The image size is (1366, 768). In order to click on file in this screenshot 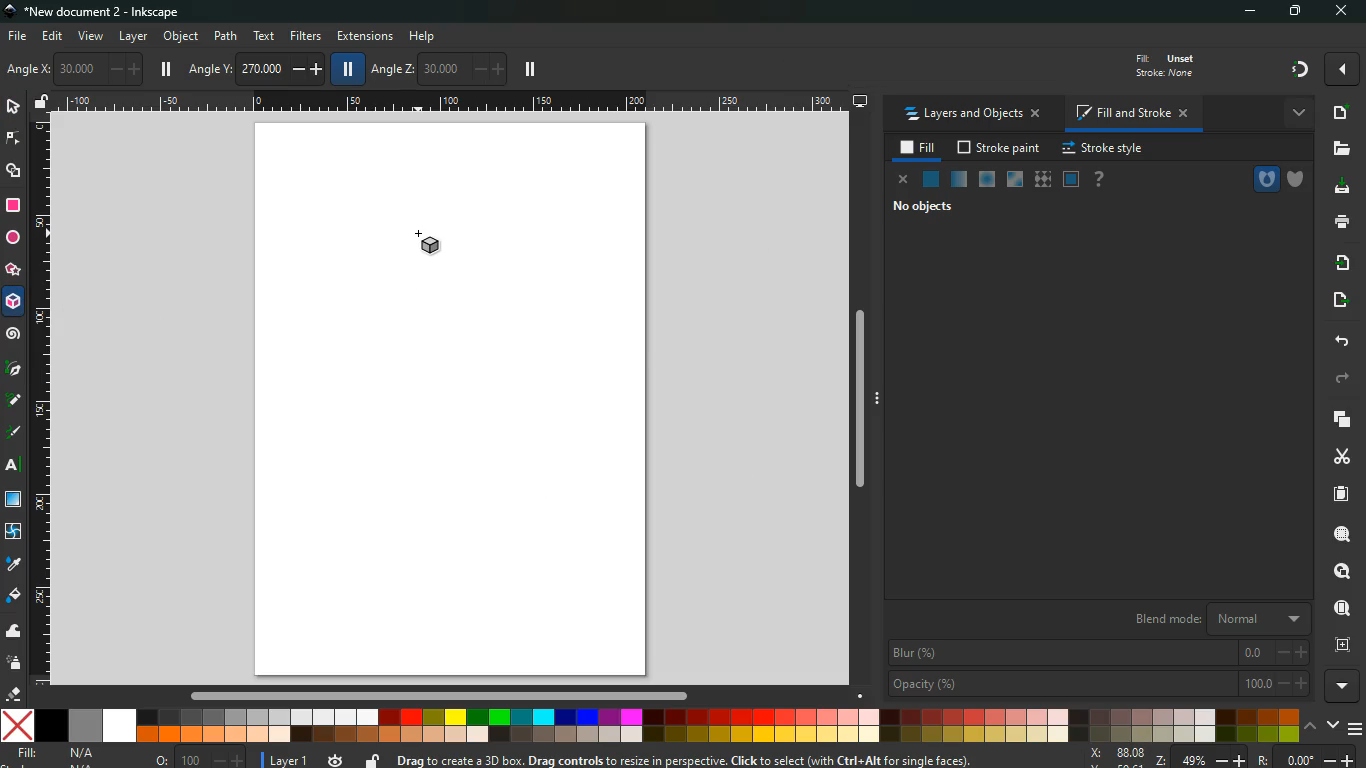, I will do `click(16, 37)`.